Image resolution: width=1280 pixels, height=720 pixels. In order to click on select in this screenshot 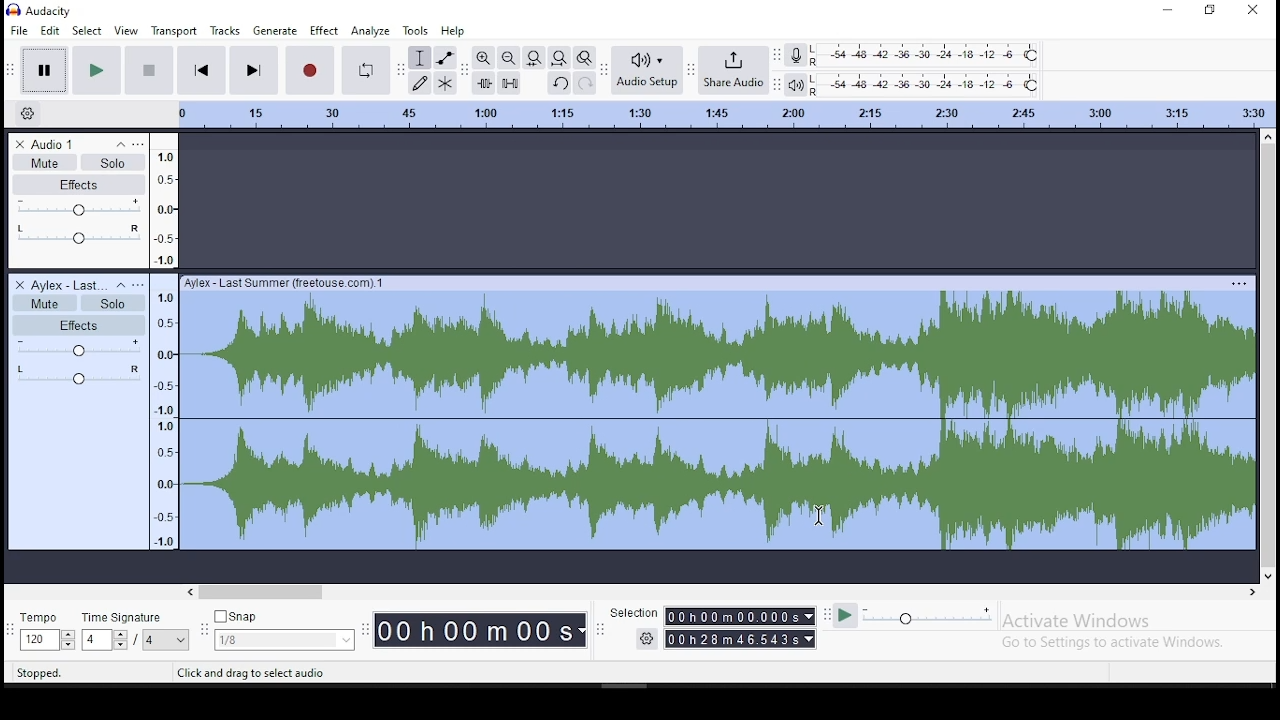, I will do `click(88, 30)`.